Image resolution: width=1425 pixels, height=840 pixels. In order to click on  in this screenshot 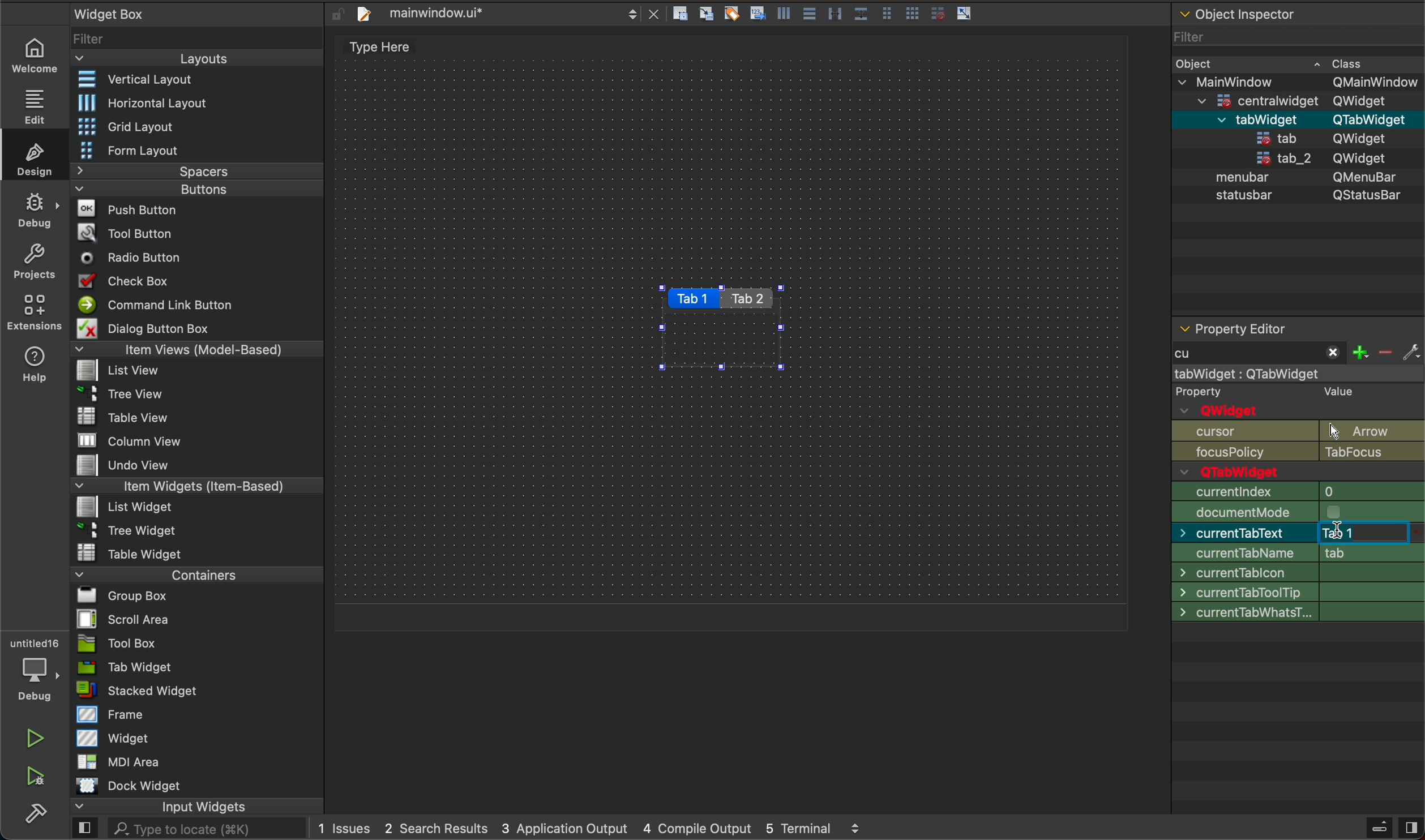, I will do `click(1301, 796)`.